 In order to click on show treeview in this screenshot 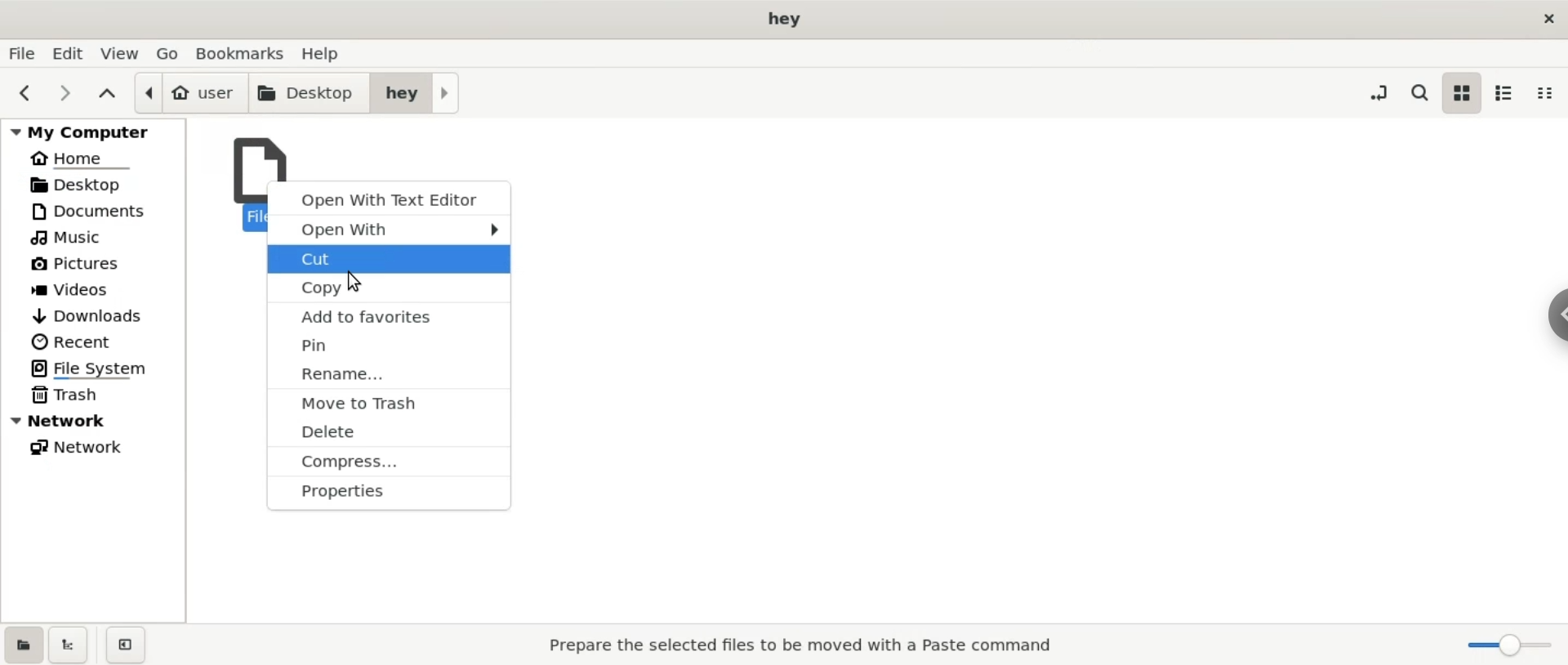, I will do `click(72, 645)`.